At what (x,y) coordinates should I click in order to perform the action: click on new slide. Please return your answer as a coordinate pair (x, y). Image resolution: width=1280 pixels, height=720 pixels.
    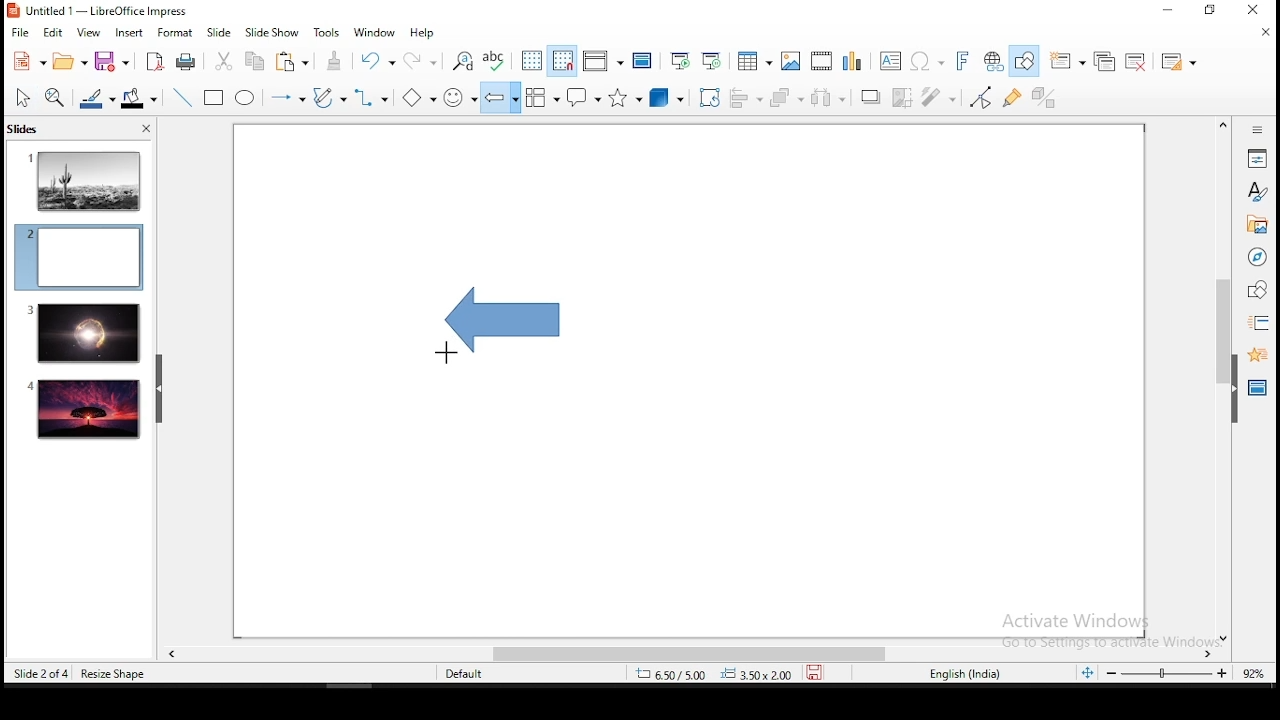
    Looking at the image, I should click on (1069, 60).